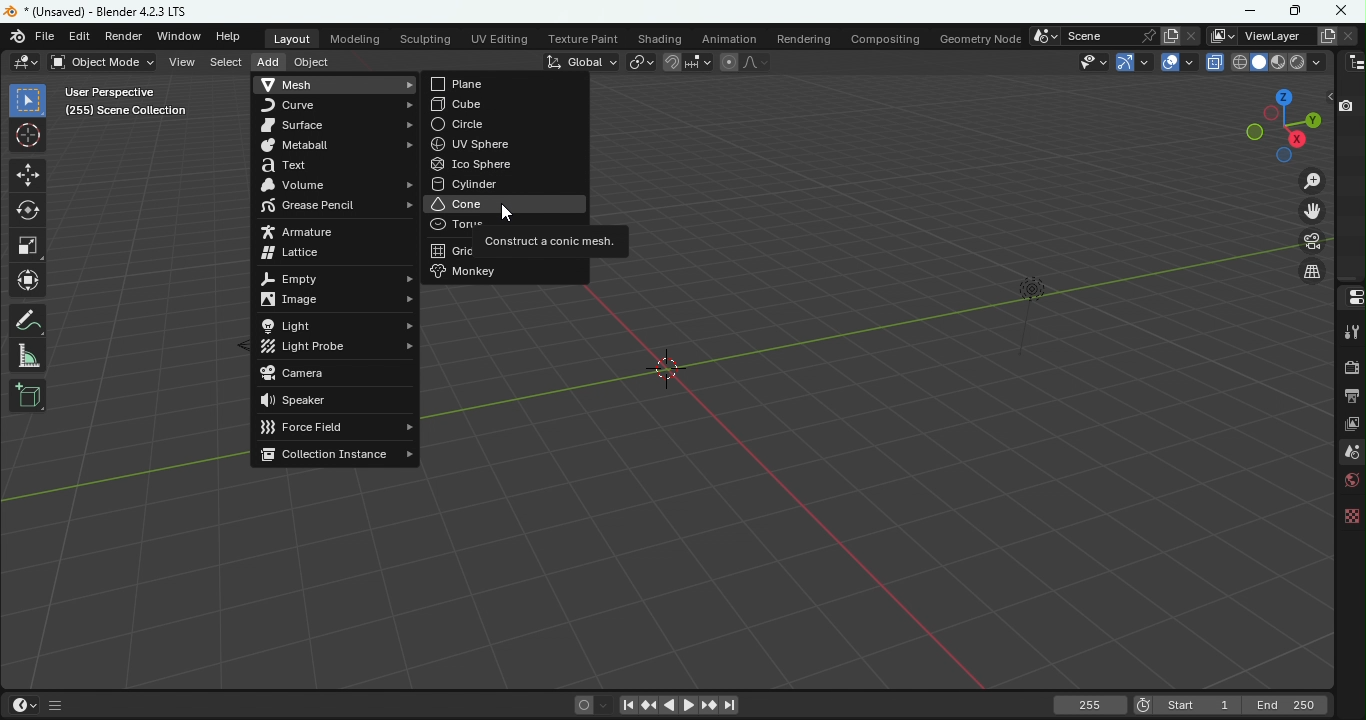 The image size is (1366, 720). Describe the element at coordinates (580, 61) in the screenshot. I see `Transformation orientation` at that location.